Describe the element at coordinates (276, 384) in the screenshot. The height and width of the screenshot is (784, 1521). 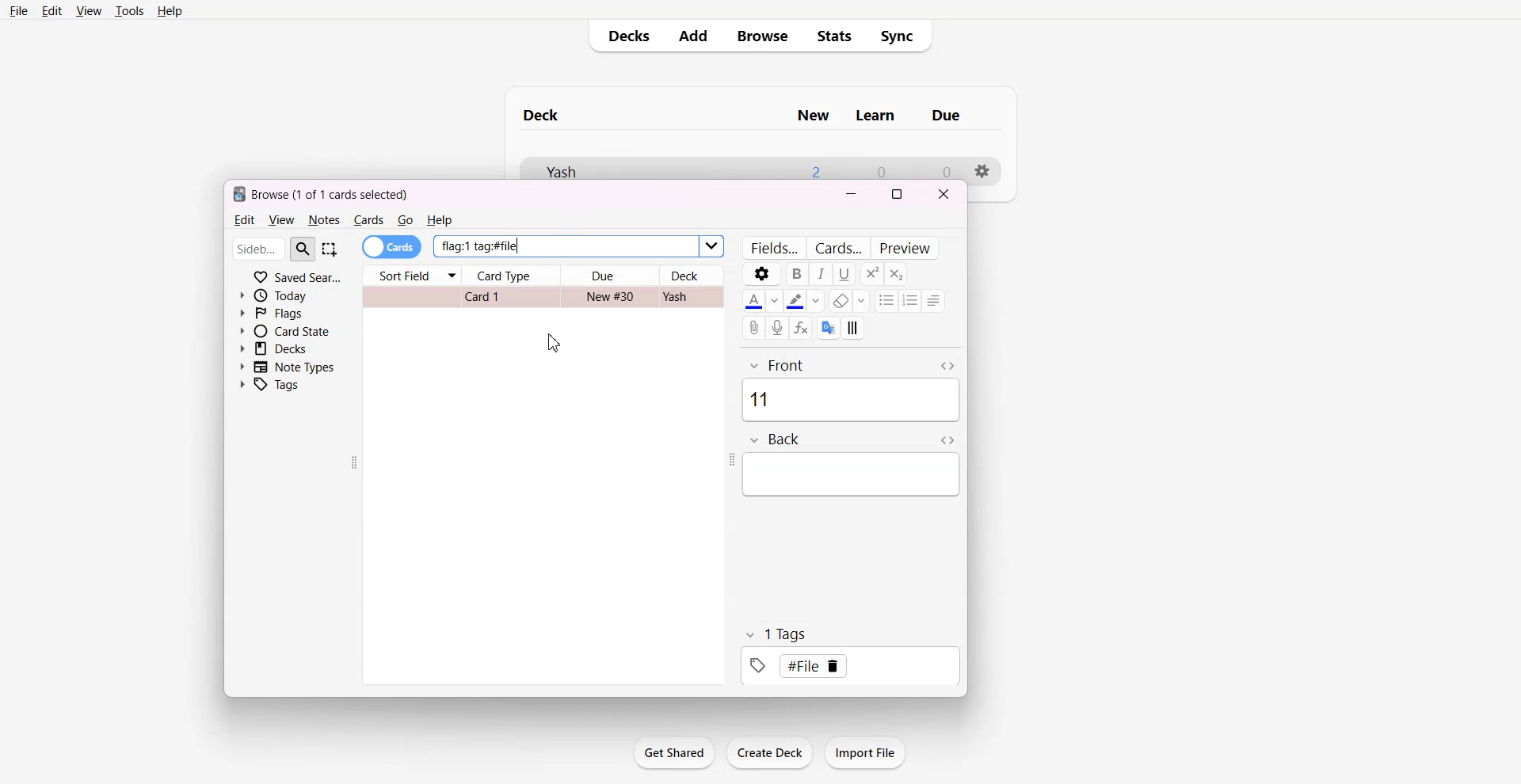
I see `Tags` at that location.